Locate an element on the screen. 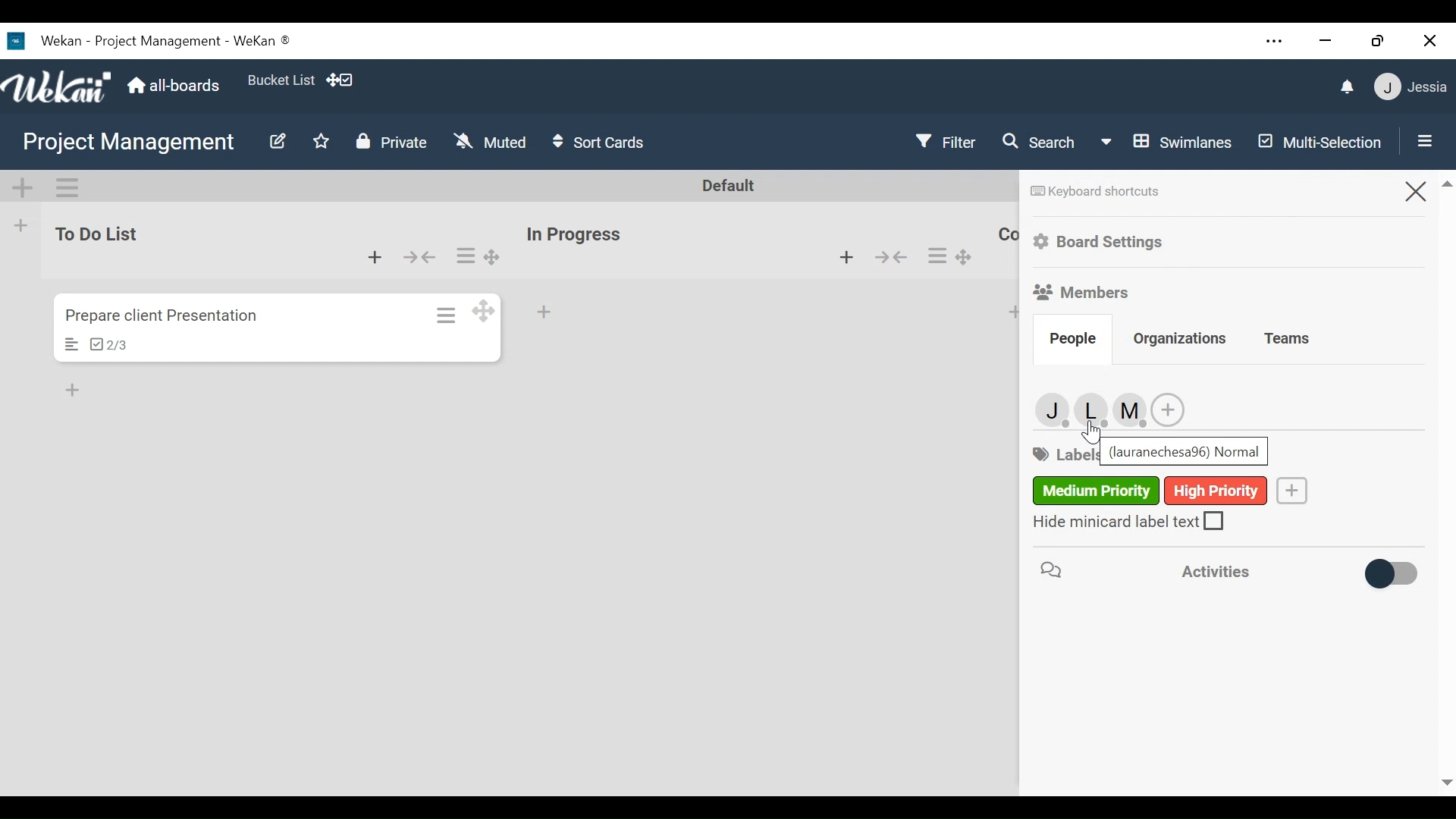  List actions is located at coordinates (466, 255).